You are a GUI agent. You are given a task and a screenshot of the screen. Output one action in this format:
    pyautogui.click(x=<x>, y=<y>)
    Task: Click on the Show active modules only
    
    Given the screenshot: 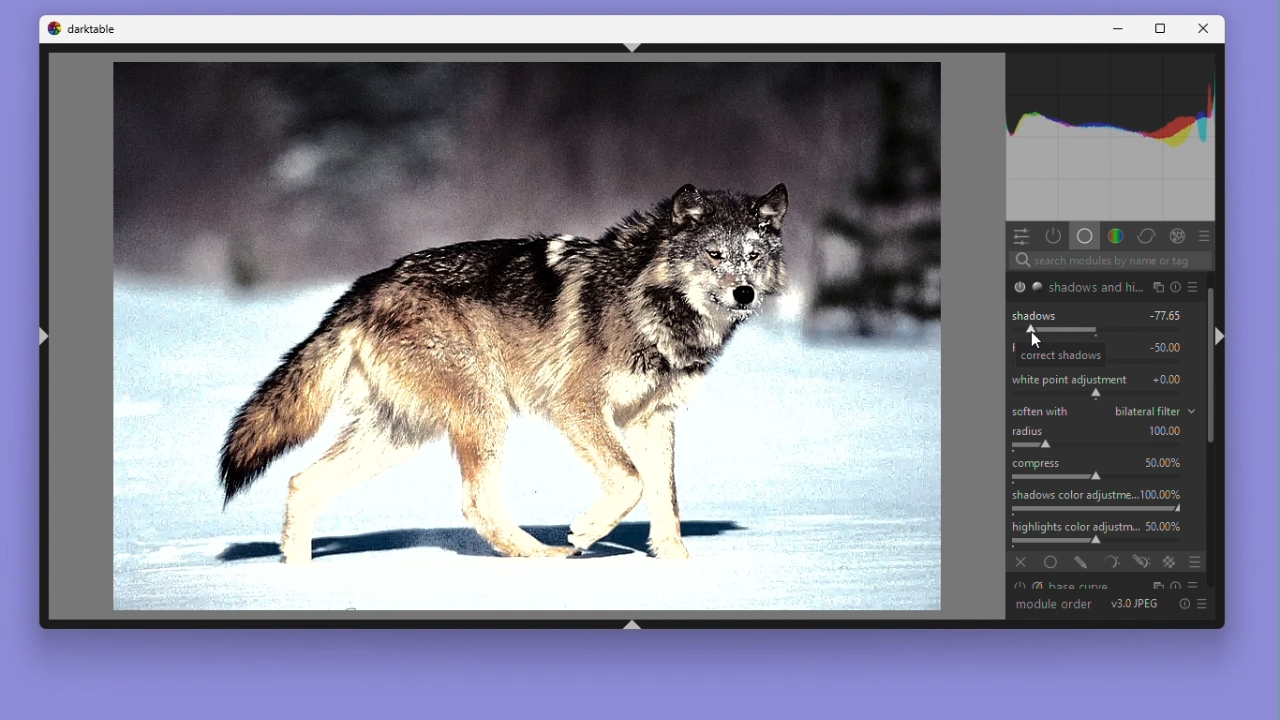 What is the action you would take?
    pyautogui.click(x=1053, y=235)
    